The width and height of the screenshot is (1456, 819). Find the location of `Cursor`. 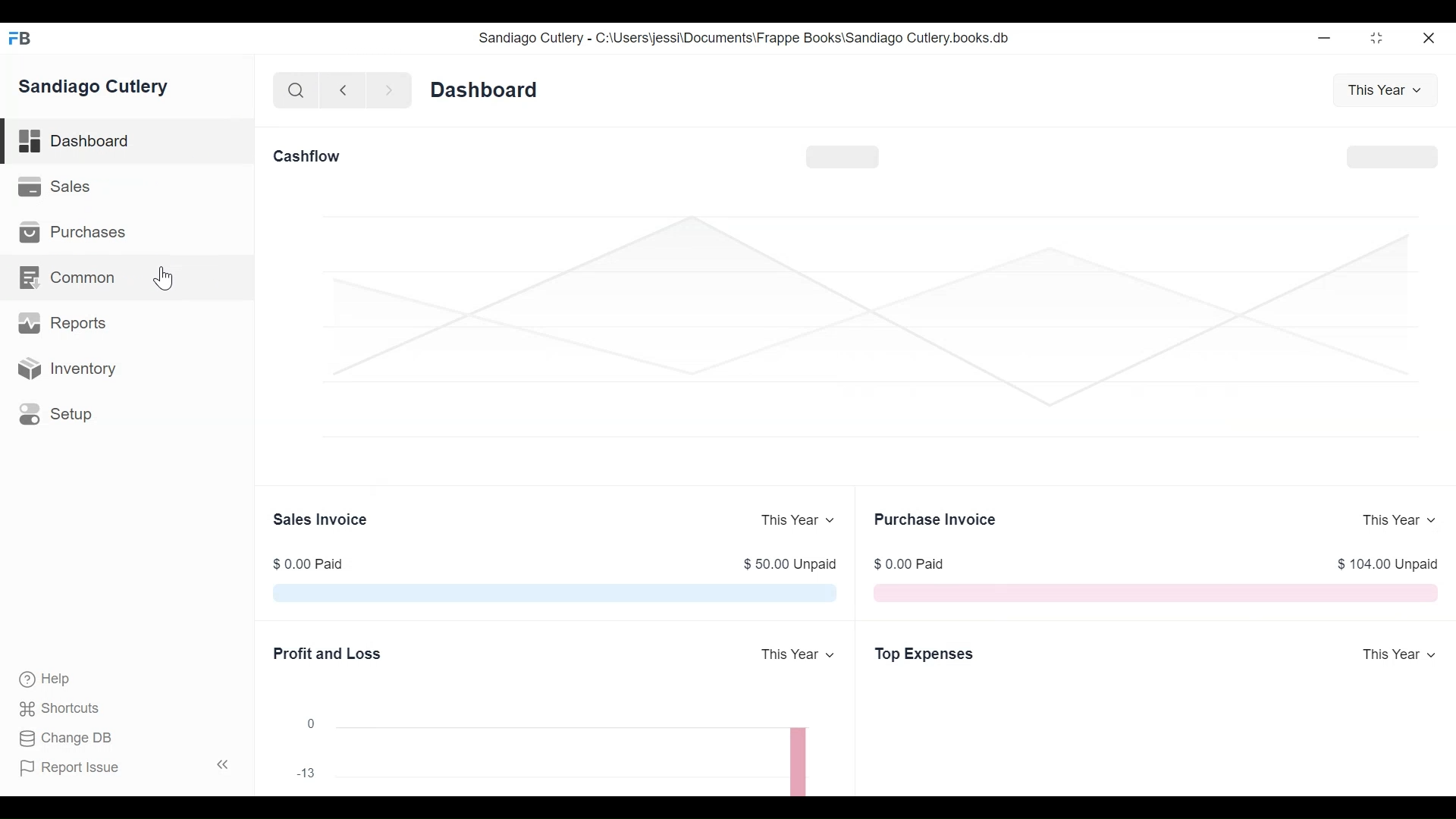

Cursor is located at coordinates (165, 278).